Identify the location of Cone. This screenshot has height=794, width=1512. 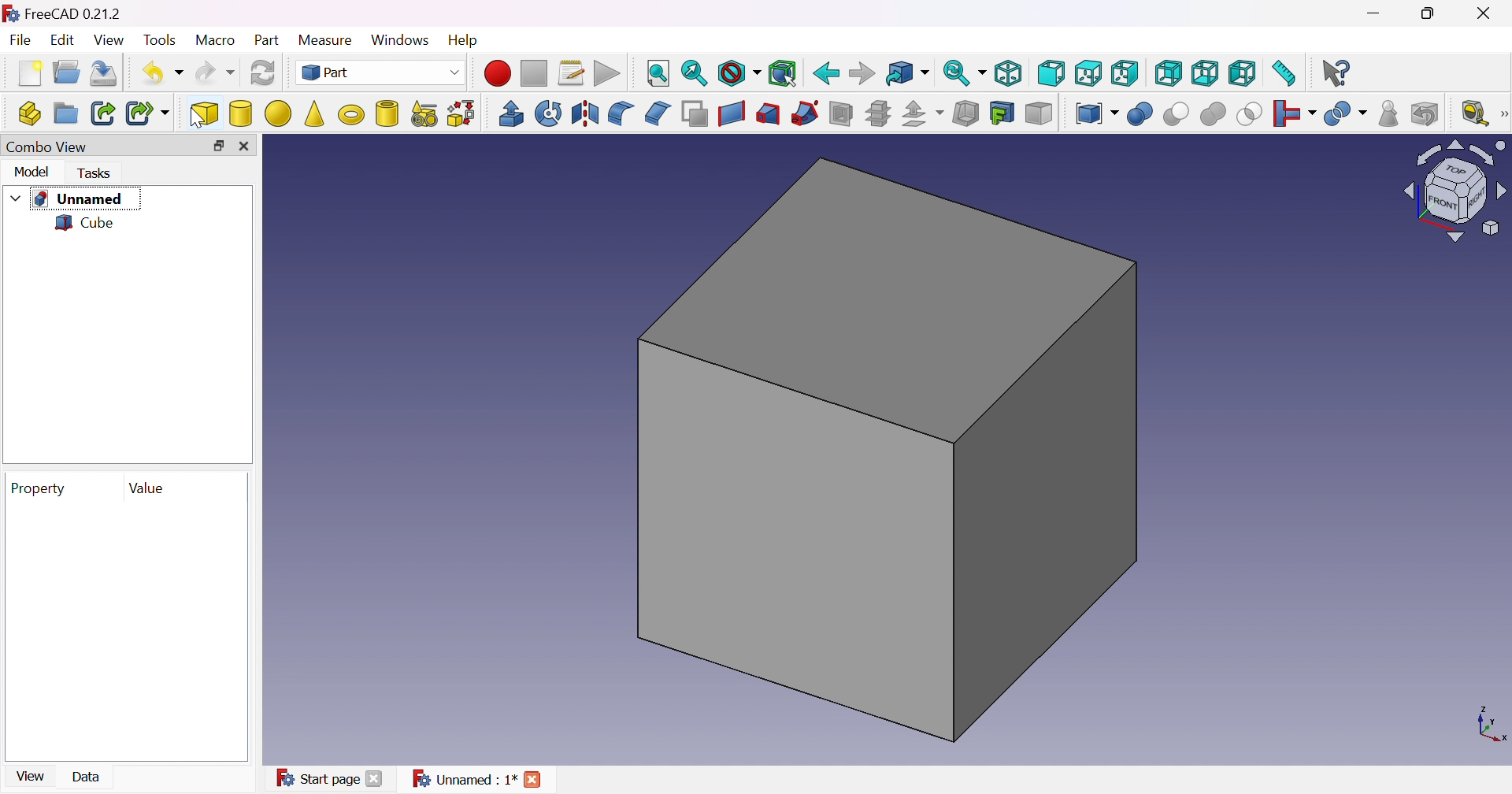
(315, 114).